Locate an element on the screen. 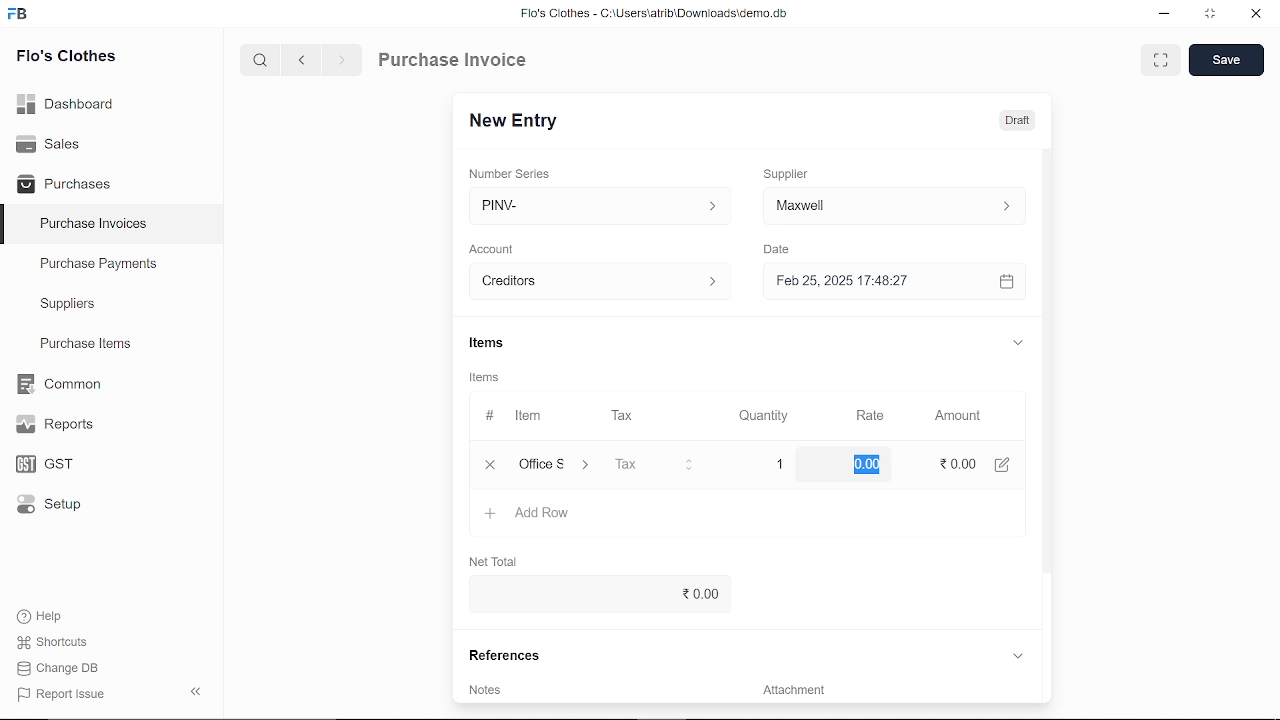 Image resolution: width=1280 pixels, height=720 pixels. 1 is located at coordinates (782, 464).